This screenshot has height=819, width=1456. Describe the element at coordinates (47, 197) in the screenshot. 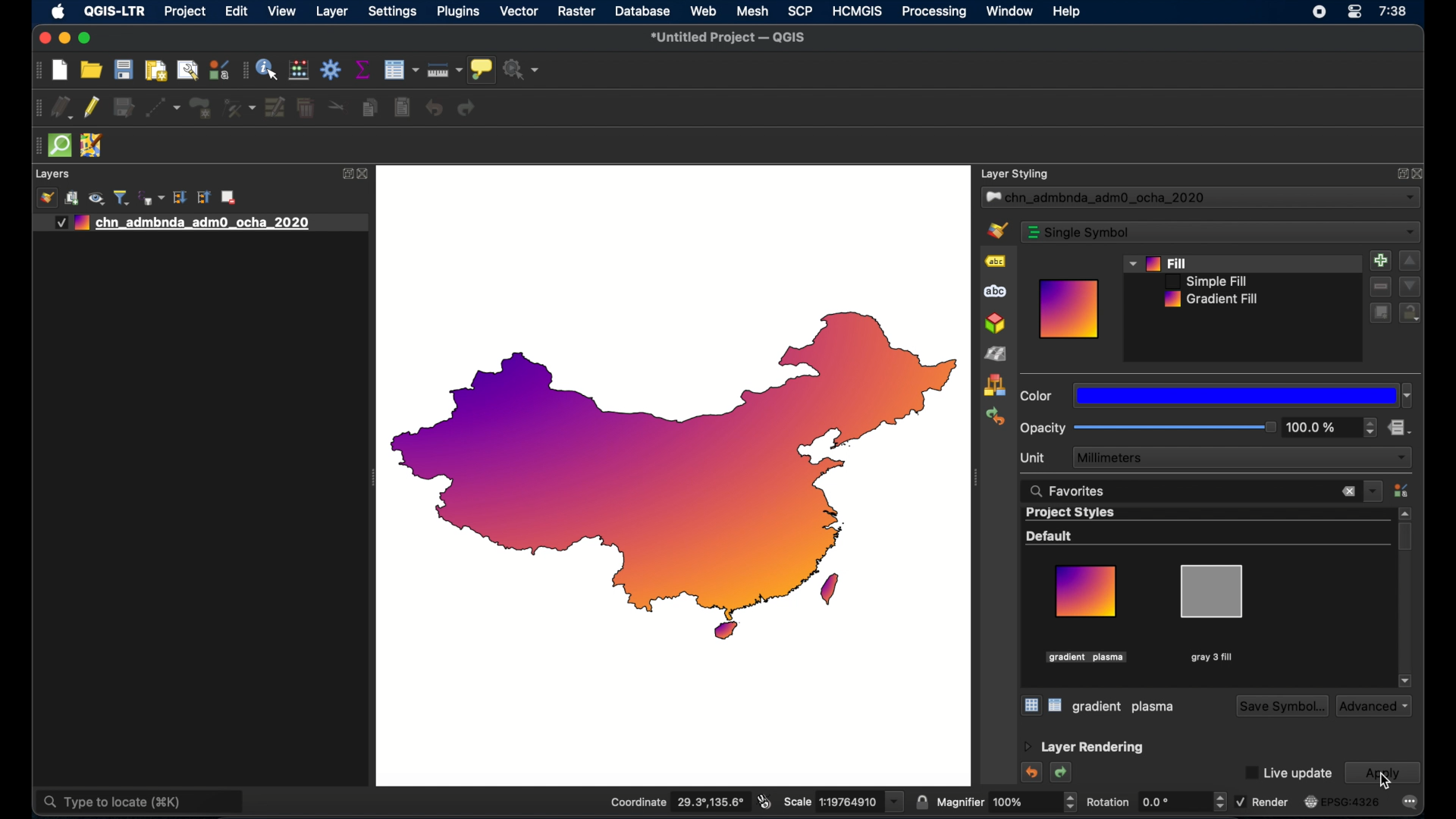

I see `open layer styling panel` at that location.